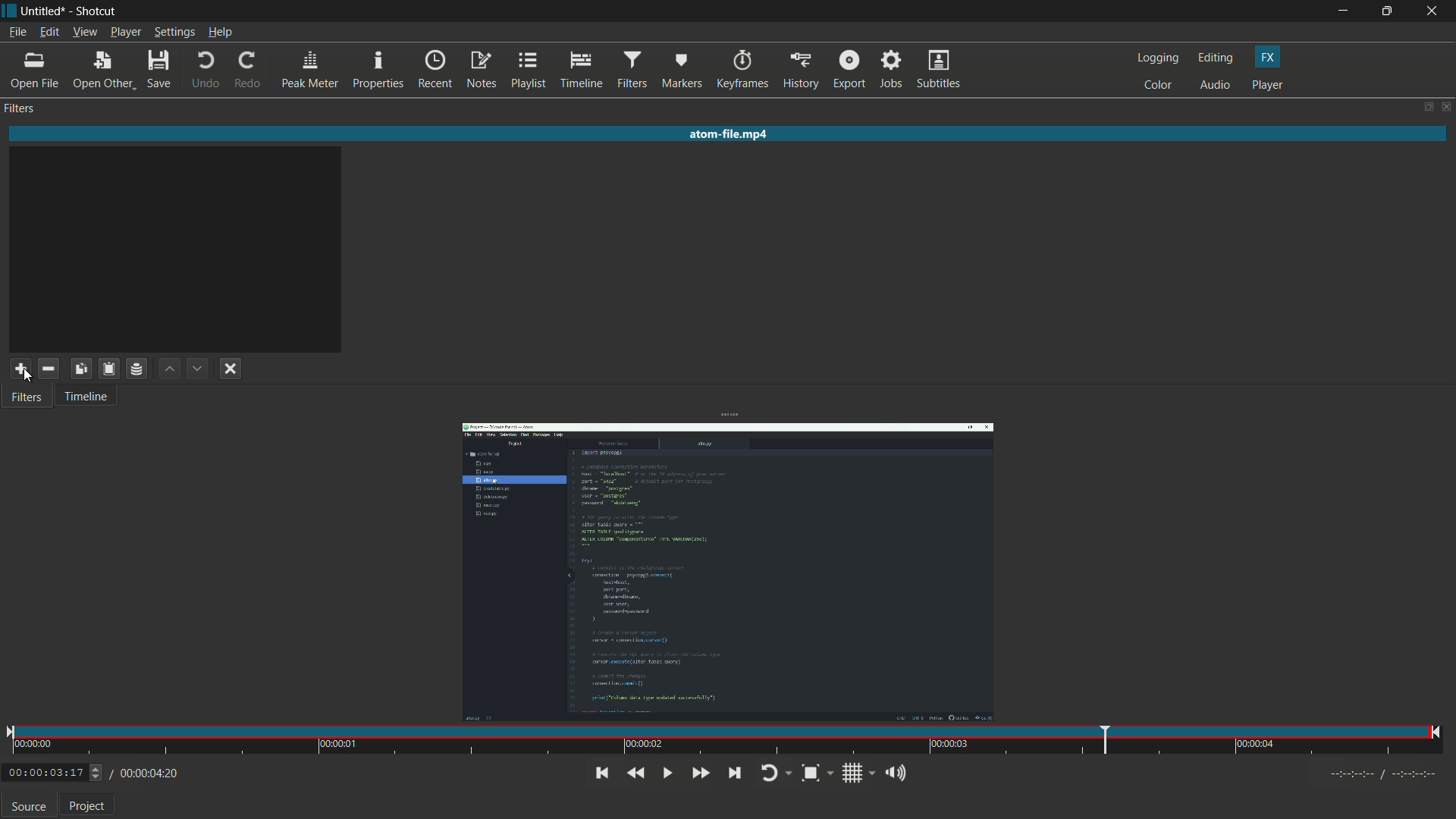  What do you see at coordinates (1157, 58) in the screenshot?
I see `logging` at bounding box center [1157, 58].